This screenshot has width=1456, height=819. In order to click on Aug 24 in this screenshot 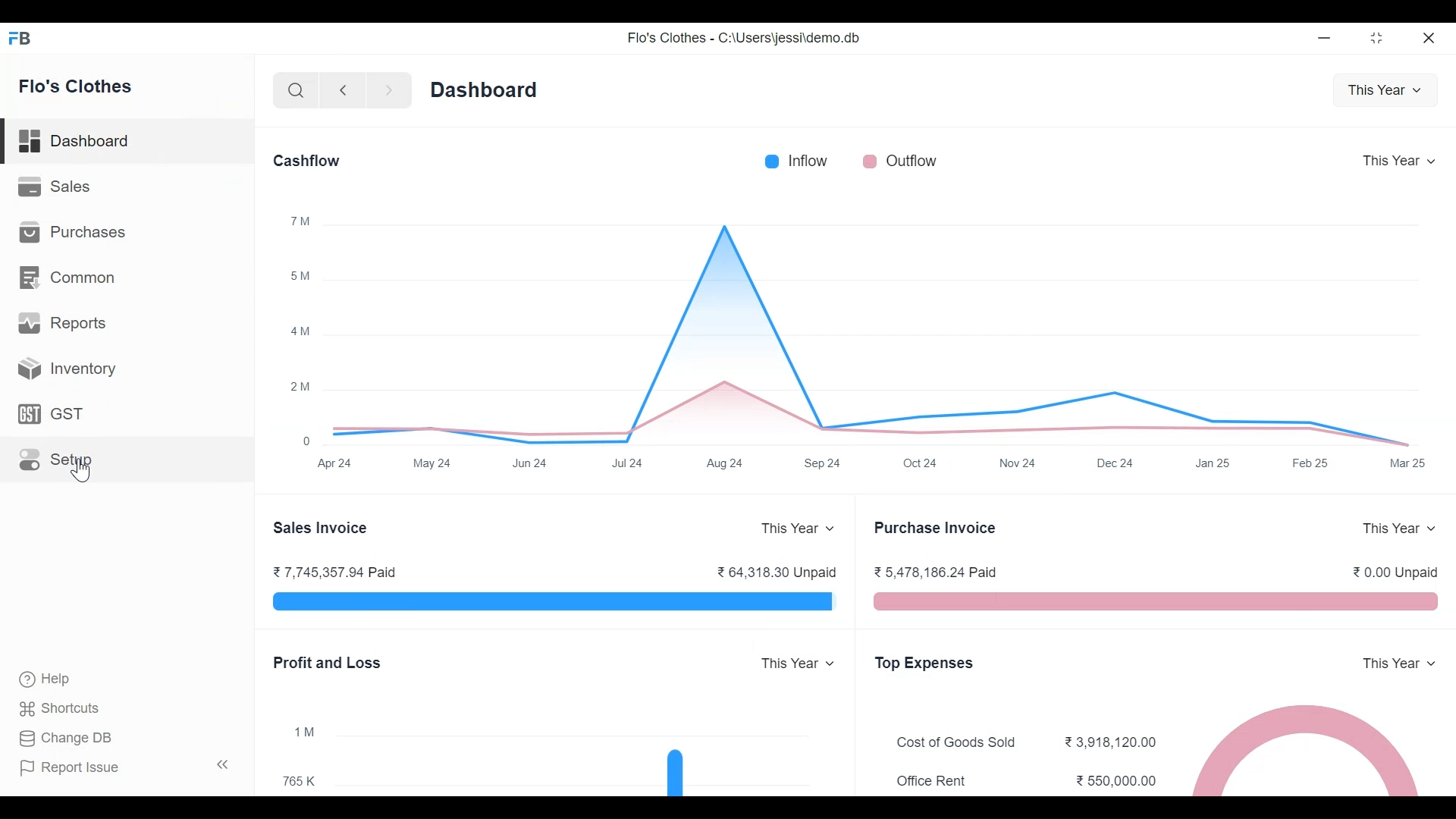, I will do `click(732, 465)`.